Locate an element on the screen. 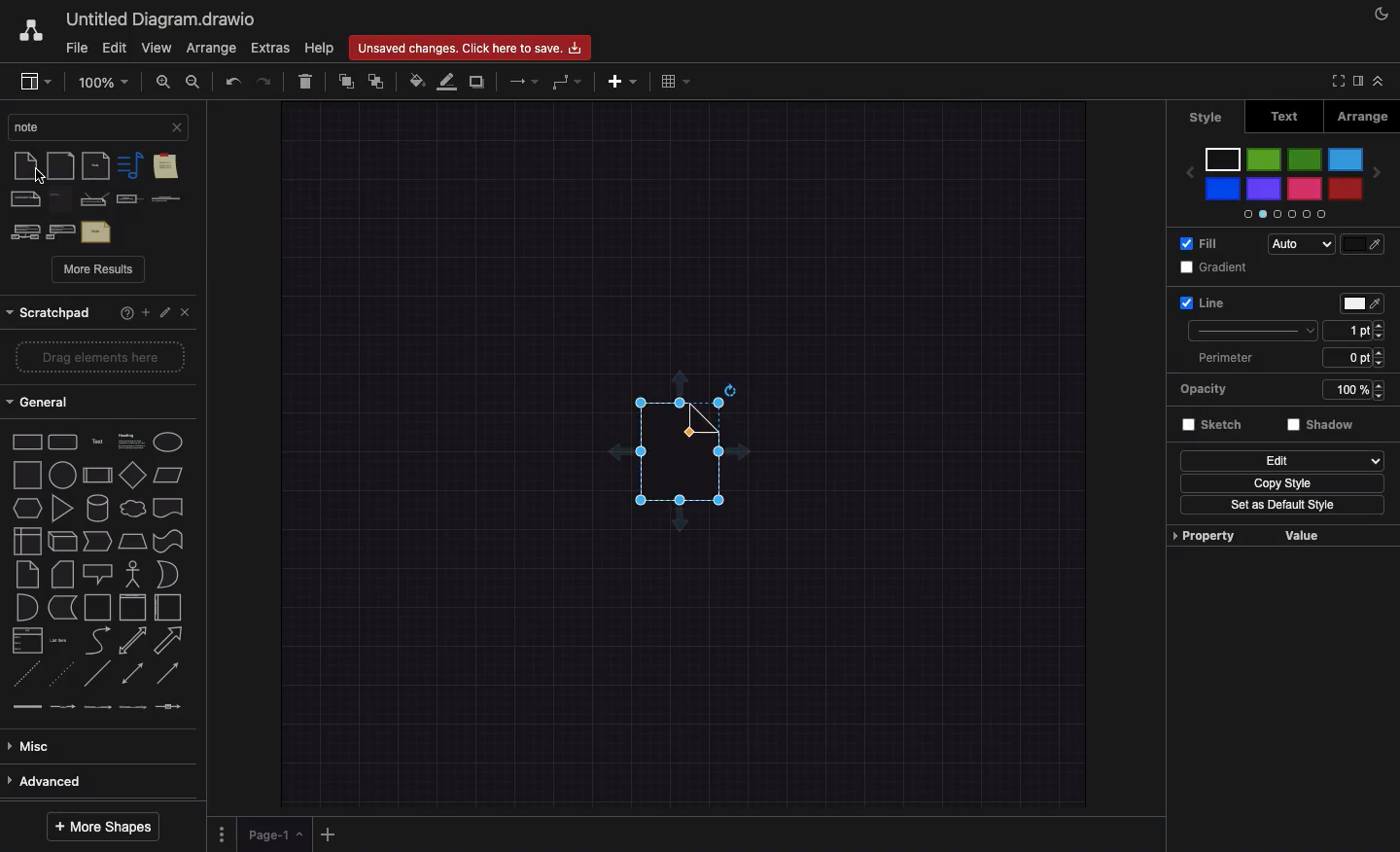 This screenshot has height=852, width=1400. actor is located at coordinates (132, 574).